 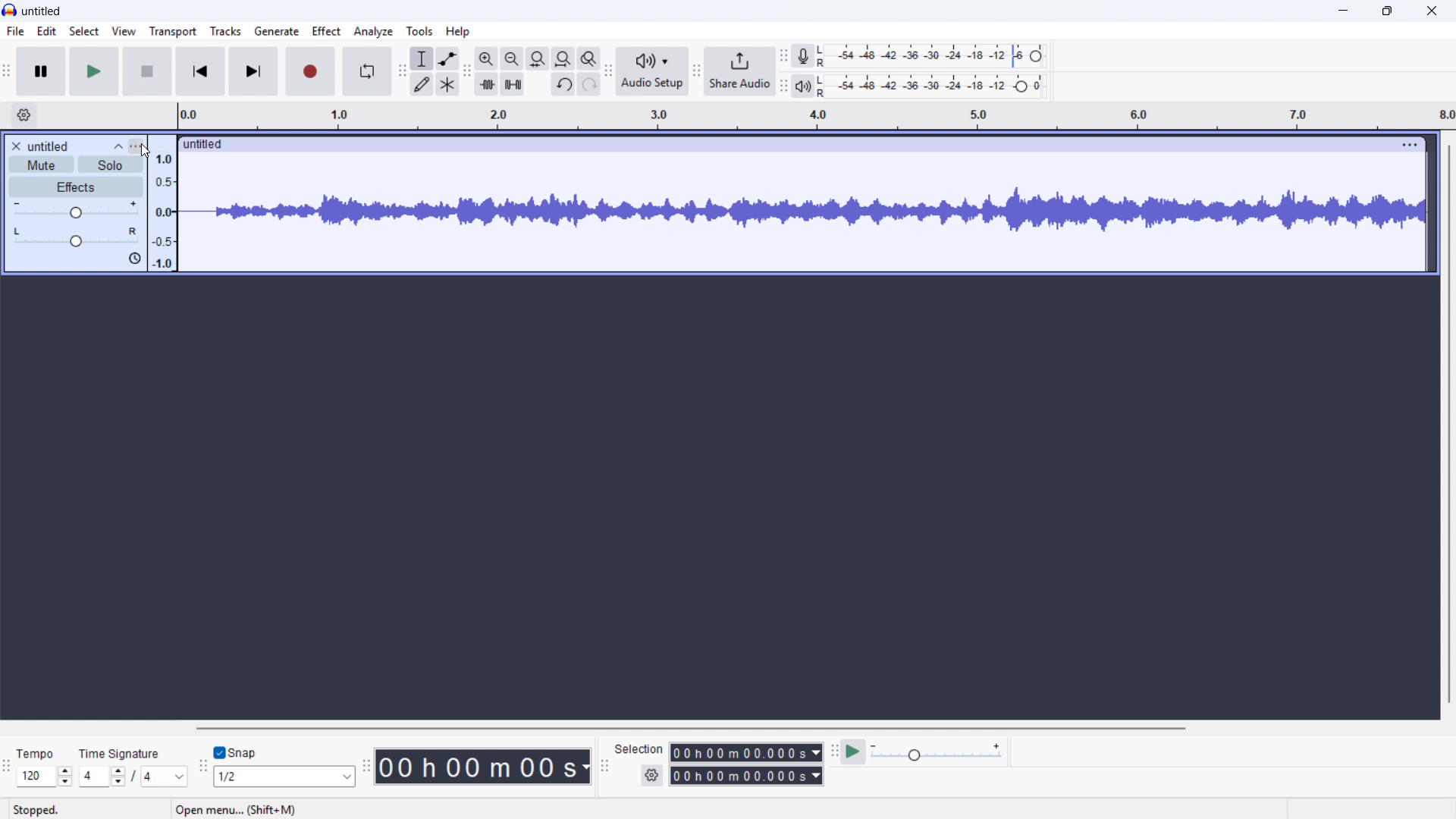 What do you see at coordinates (934, 86) in the screenshot?
I see `Playback level ` at bounding box center [934, 86].